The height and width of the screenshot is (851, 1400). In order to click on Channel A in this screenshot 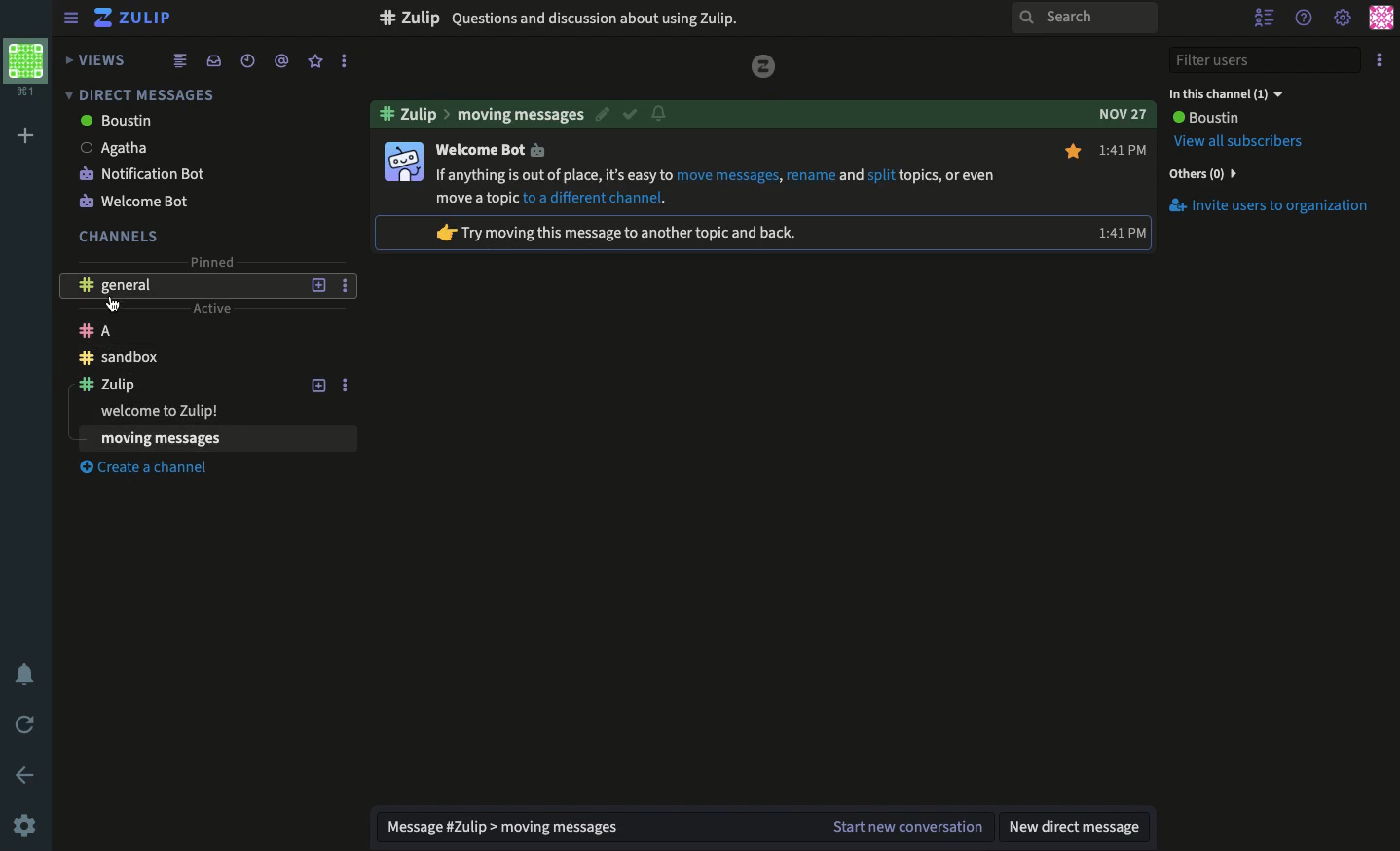, I will do `click(183, 330)`.